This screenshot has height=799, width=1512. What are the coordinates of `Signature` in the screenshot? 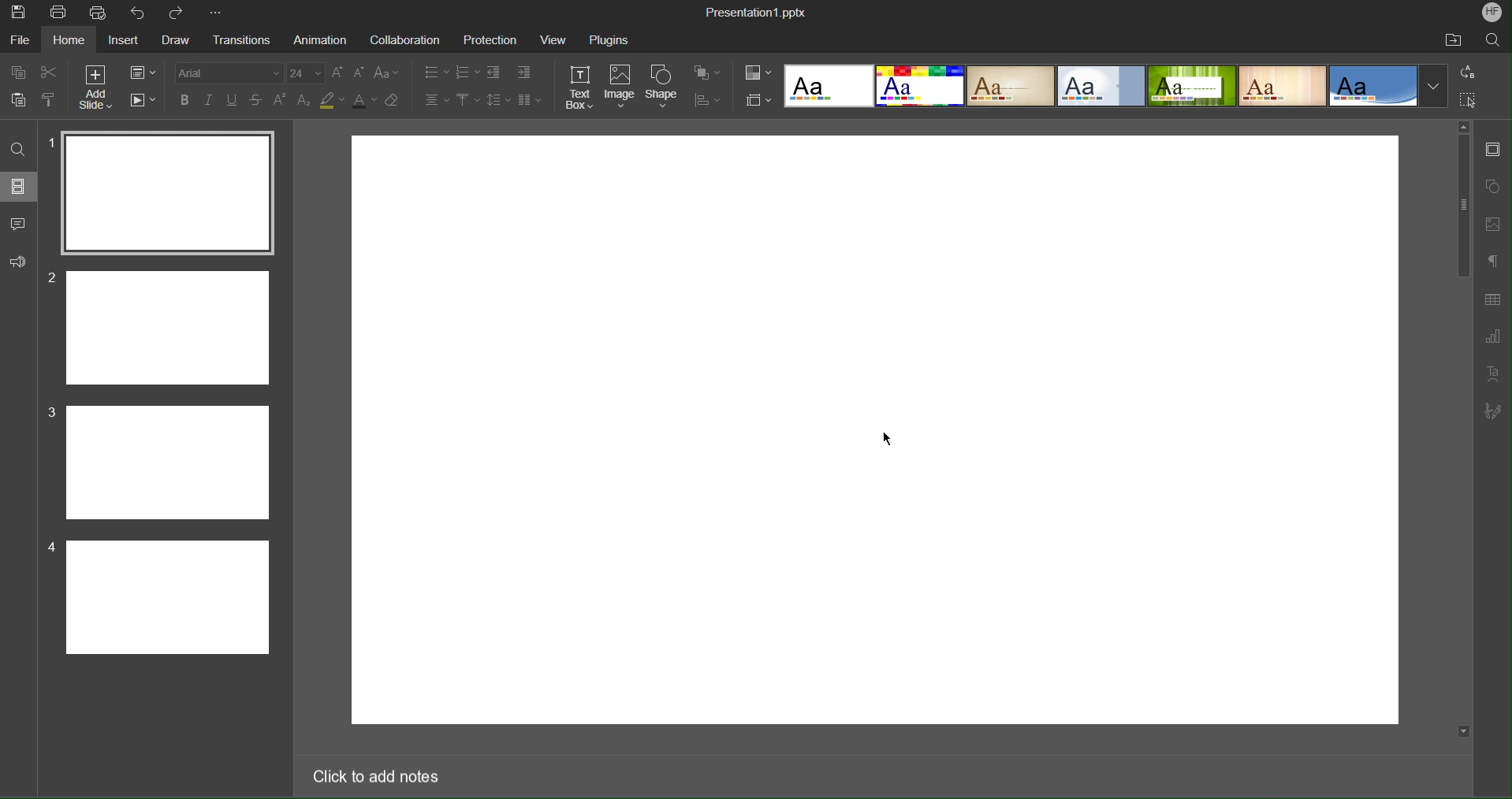 It's located at (1496, 411).